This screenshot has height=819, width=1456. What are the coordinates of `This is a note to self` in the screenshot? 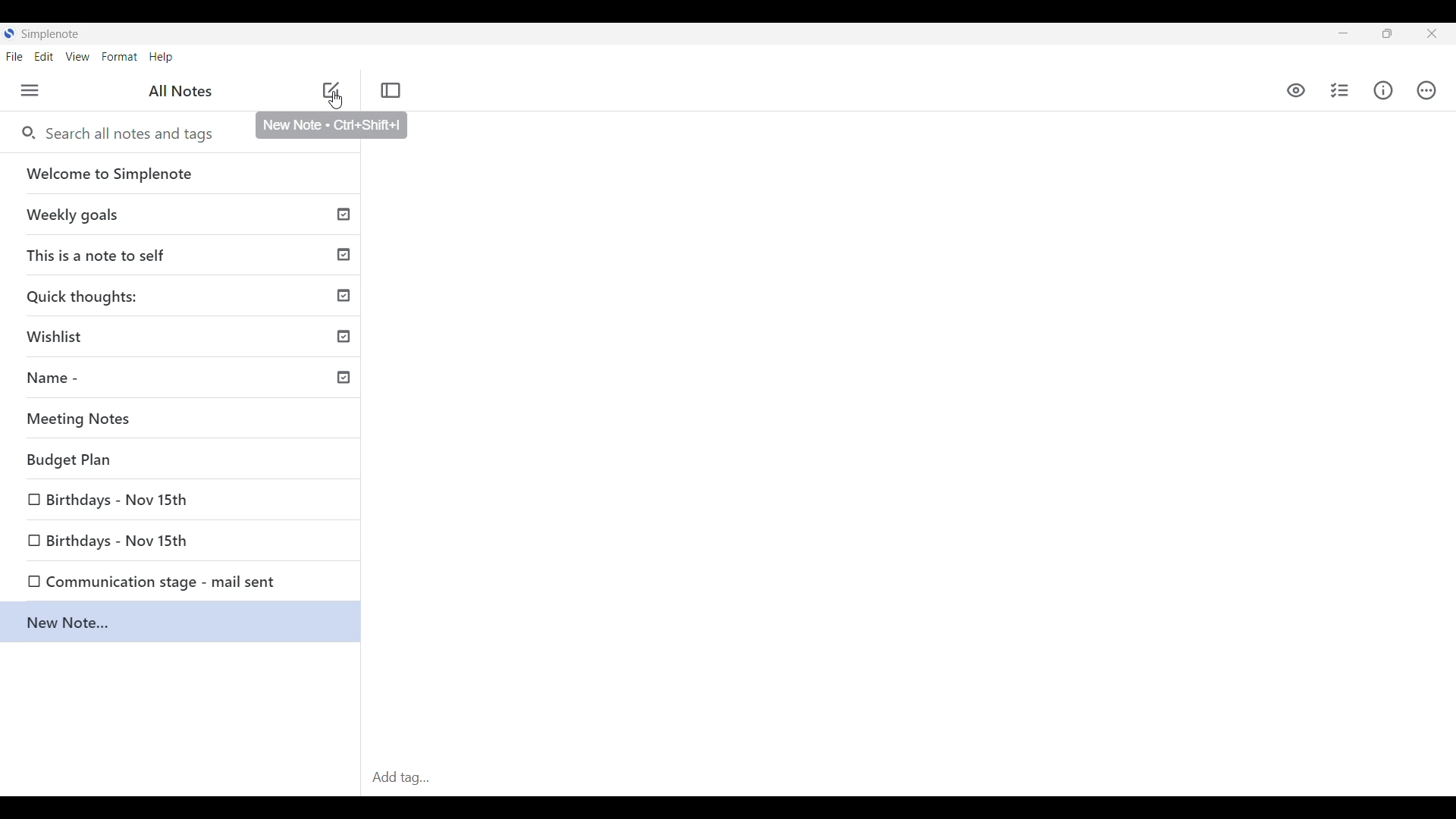 It's located at (183, 254).